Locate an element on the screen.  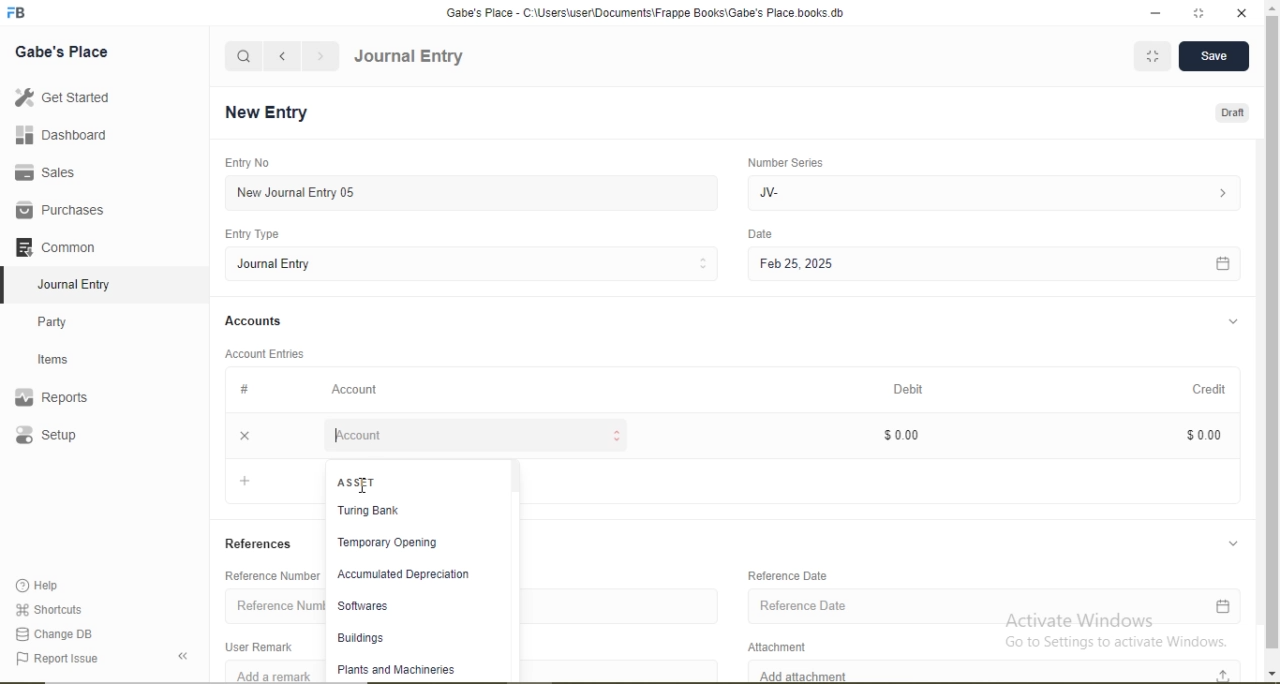
Common is located at coordinates (60, 245).